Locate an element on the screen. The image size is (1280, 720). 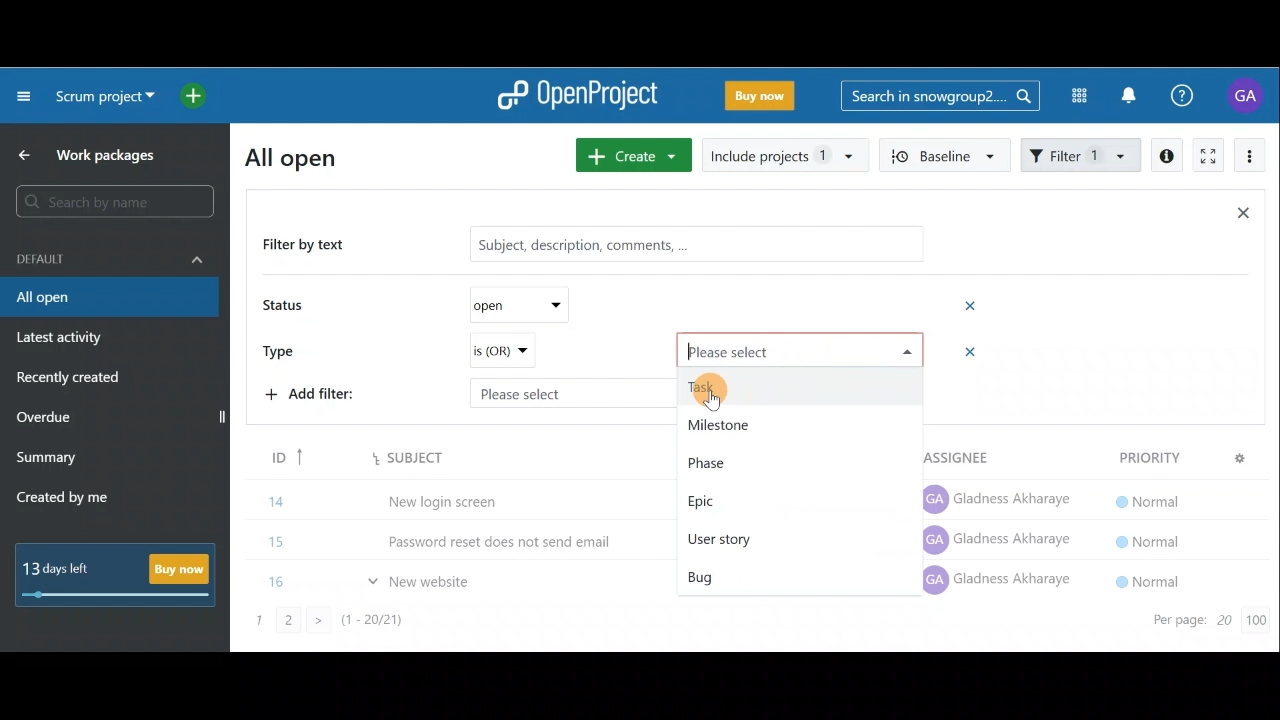
Recently created is located at coordinates (71, 380).